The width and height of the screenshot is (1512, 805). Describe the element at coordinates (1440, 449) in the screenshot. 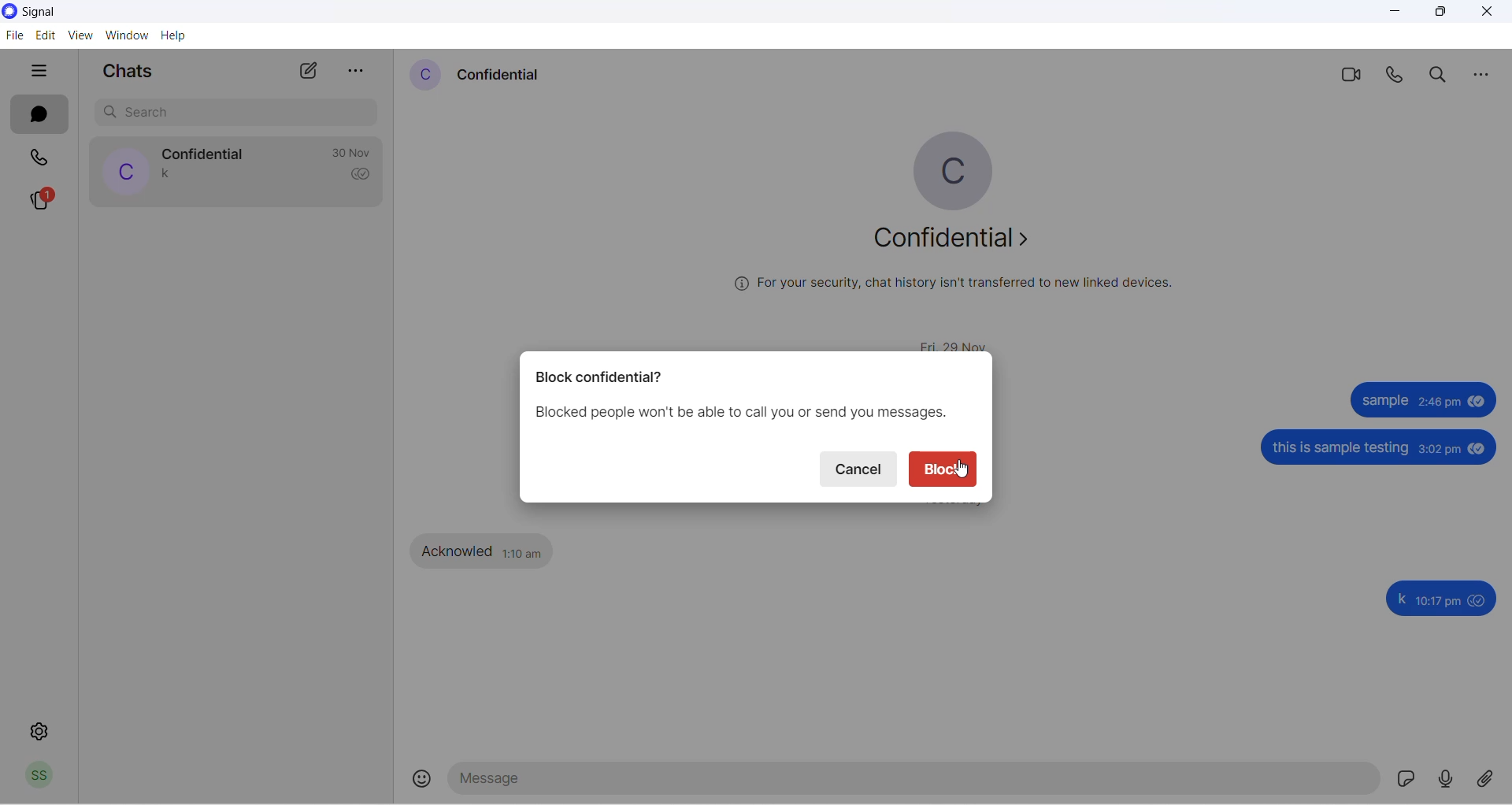

I see `3:02  pm` at that location.